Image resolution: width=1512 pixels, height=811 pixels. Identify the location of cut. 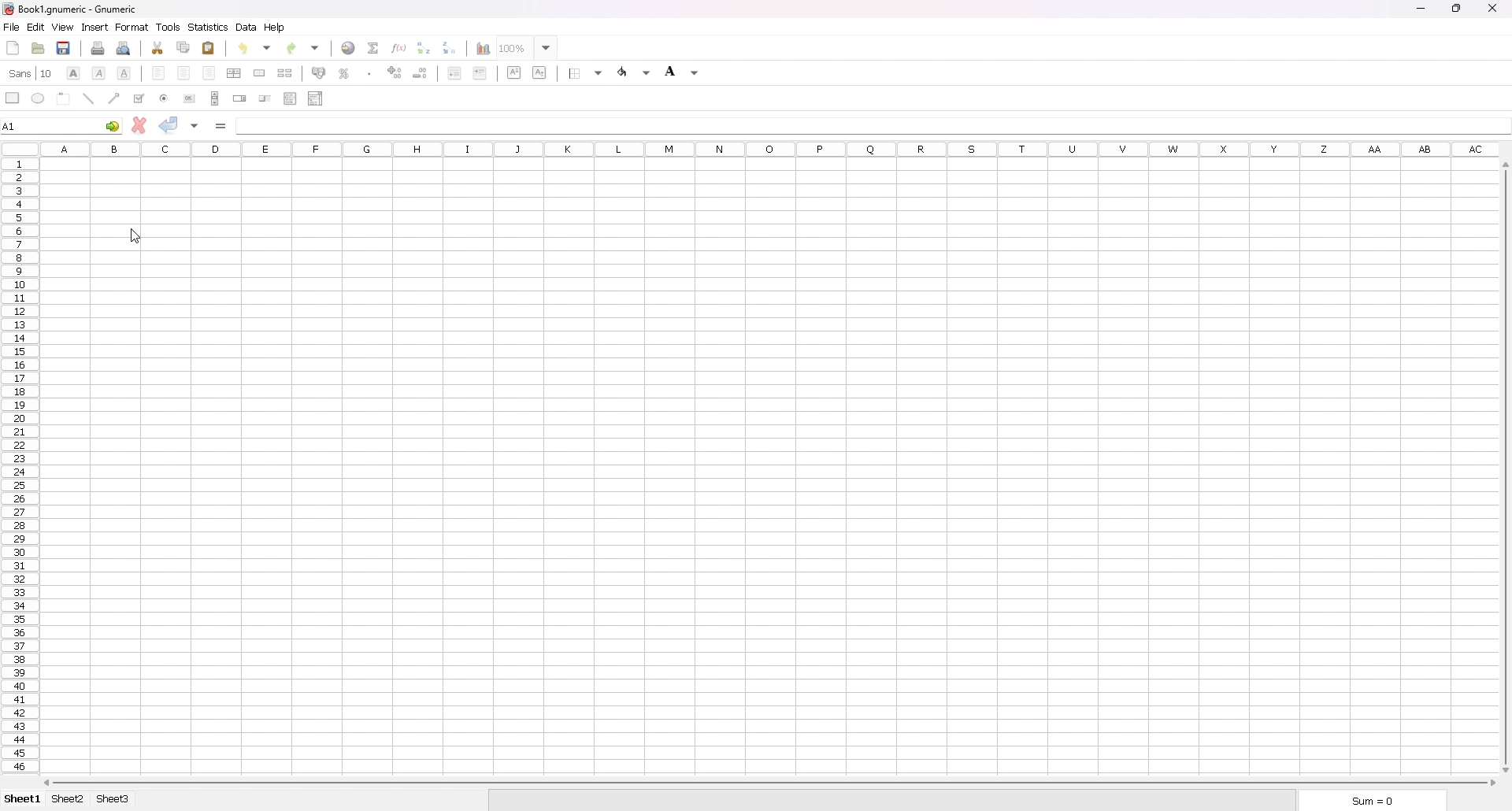
(158, 48).